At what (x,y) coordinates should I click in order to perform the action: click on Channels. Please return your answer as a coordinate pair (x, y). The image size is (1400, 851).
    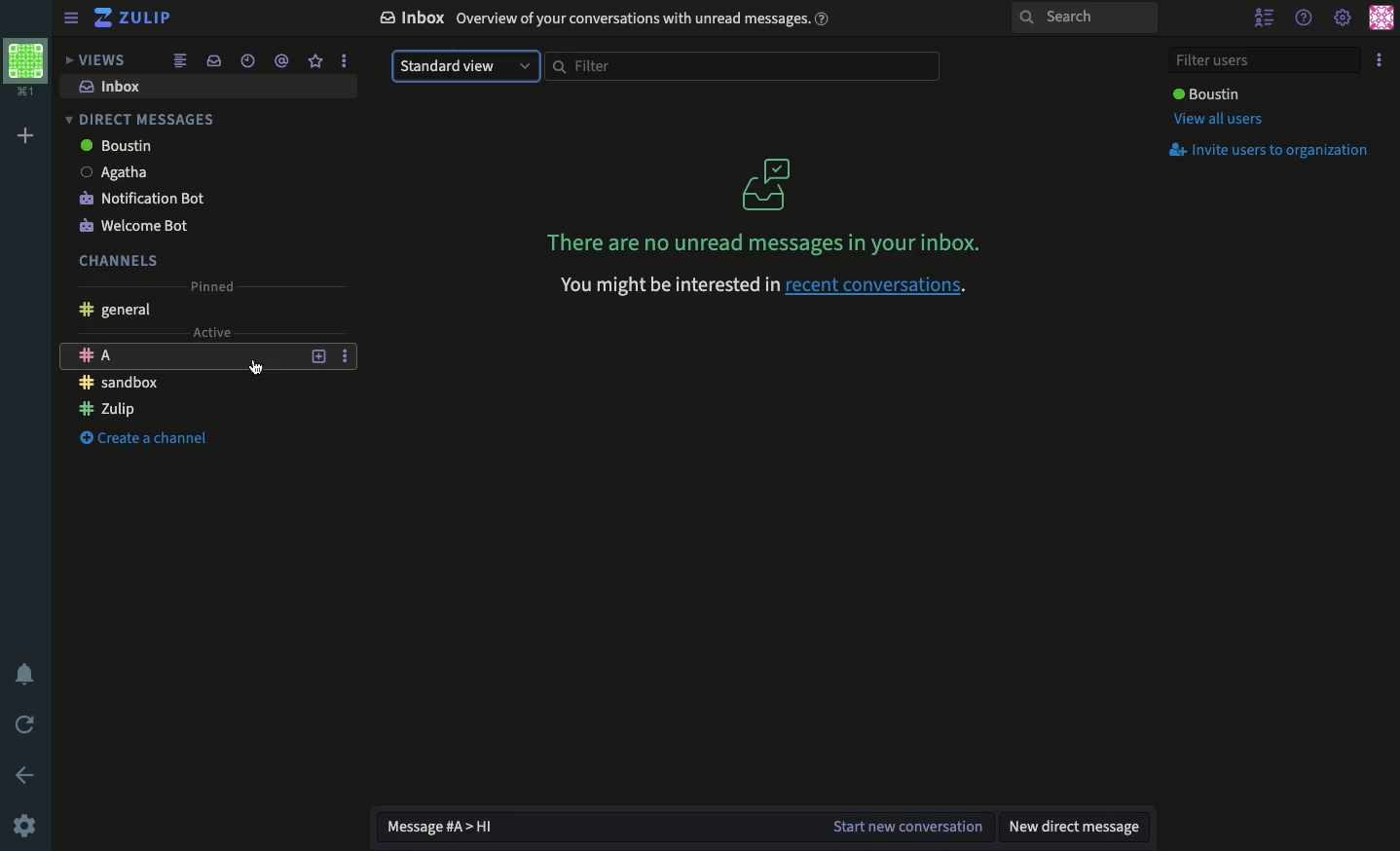
    Looking at the image, I should click on (121, 260).